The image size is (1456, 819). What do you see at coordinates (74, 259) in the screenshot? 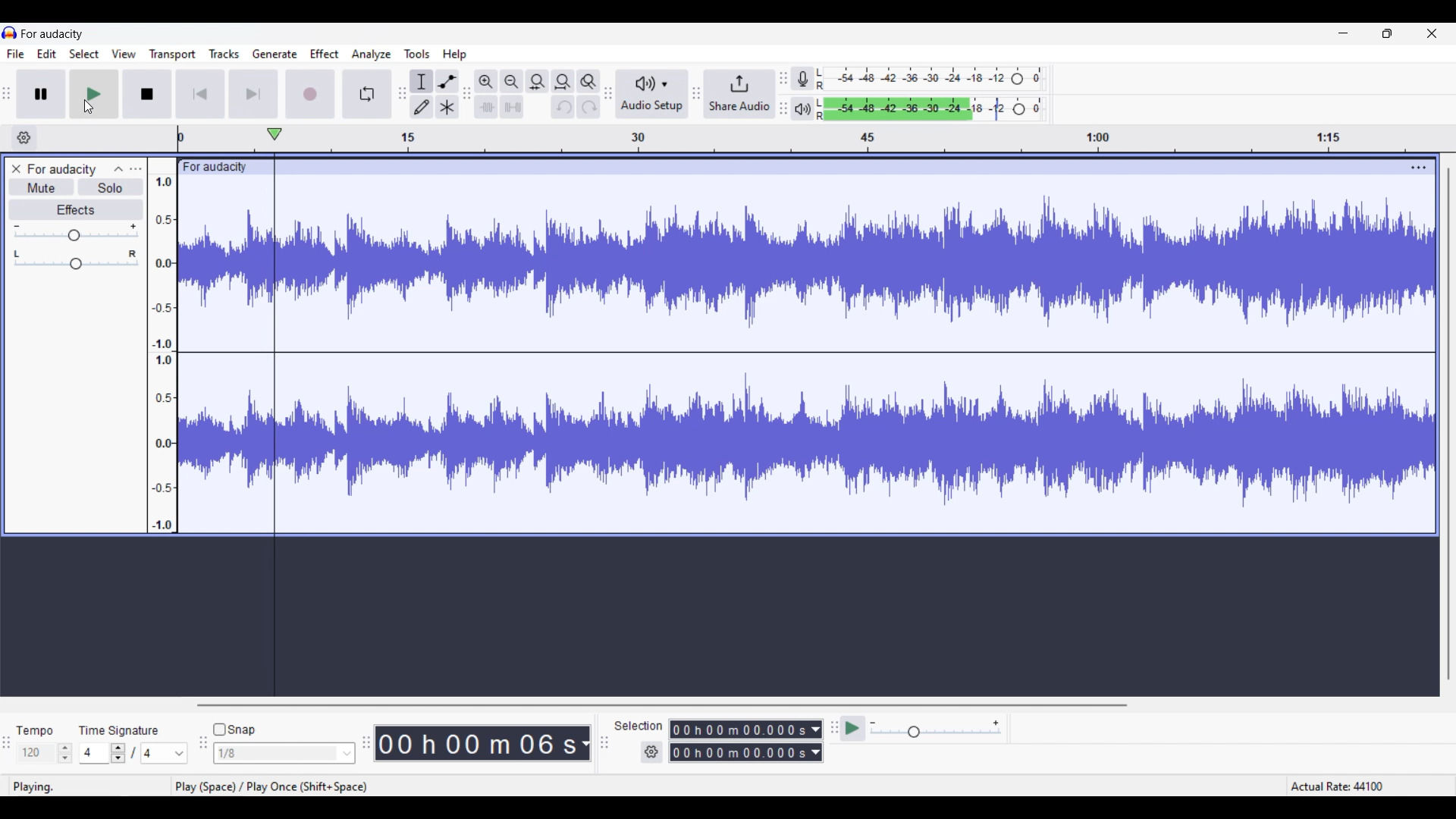
I see `Pan slider` at bounding box center [74, 259].